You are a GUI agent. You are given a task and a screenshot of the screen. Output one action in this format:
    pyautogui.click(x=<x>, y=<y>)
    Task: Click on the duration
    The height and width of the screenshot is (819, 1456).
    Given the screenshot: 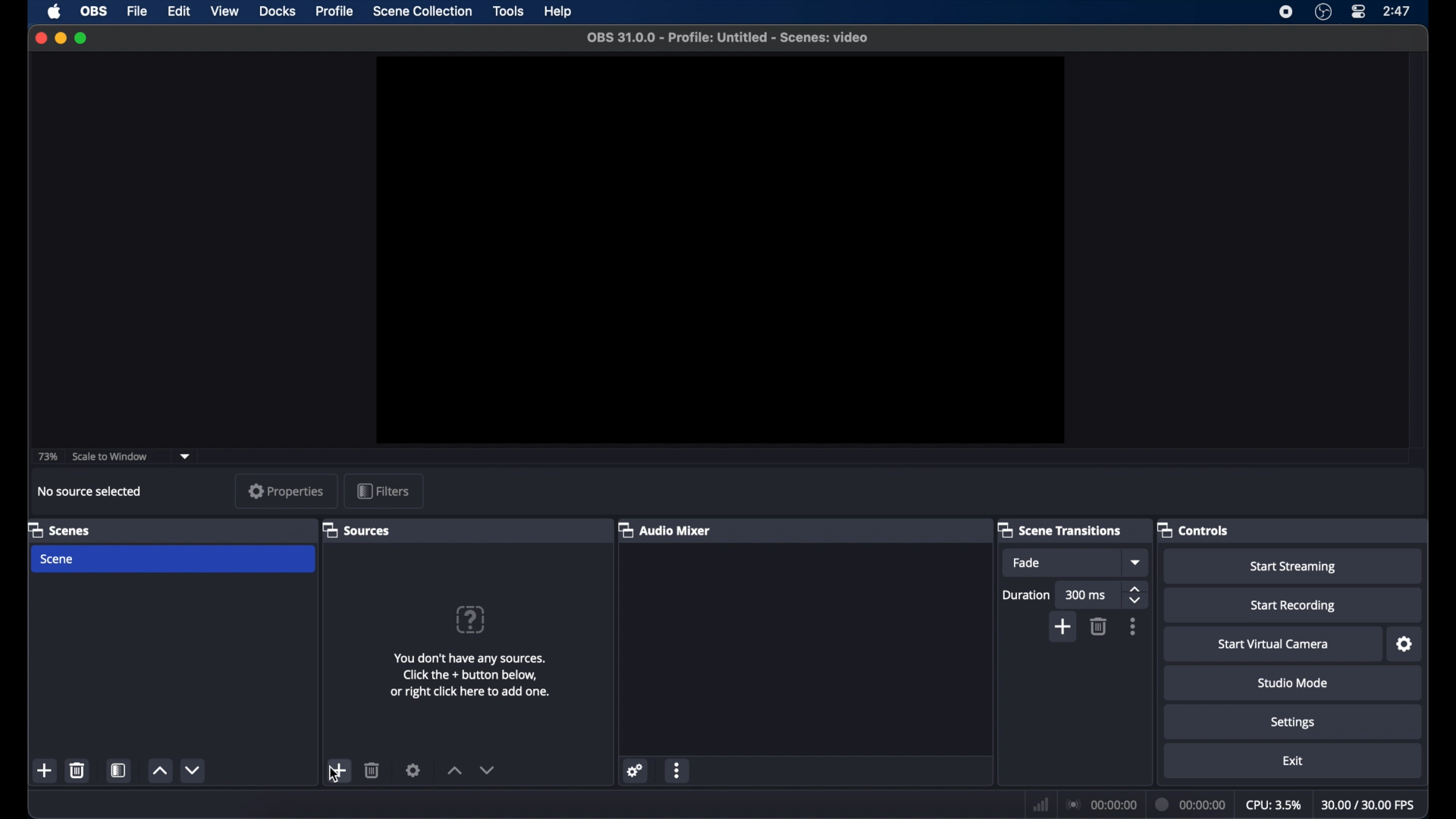 What is the action you would take?
    pyautogui.click(x=1025, y=595)
    